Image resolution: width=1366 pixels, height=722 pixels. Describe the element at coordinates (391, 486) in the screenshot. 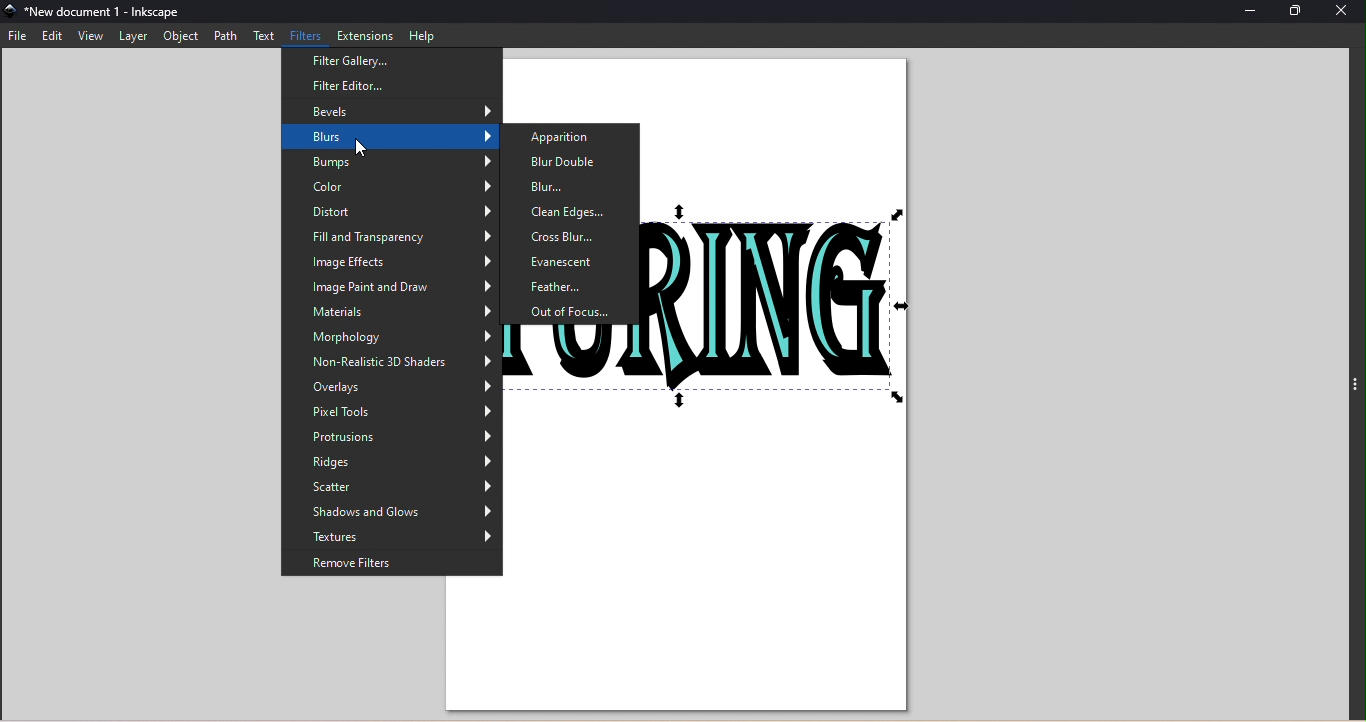

I see `Scatter` at that location.